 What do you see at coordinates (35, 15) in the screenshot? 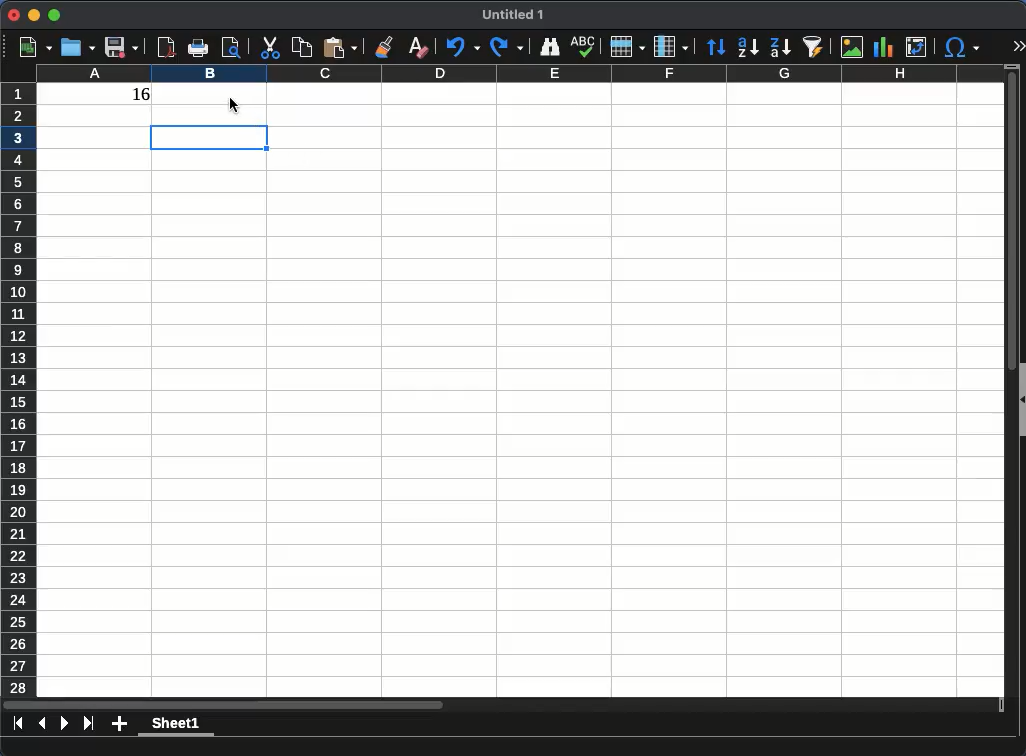
I see `minimize` at bounding box center [35, 15].